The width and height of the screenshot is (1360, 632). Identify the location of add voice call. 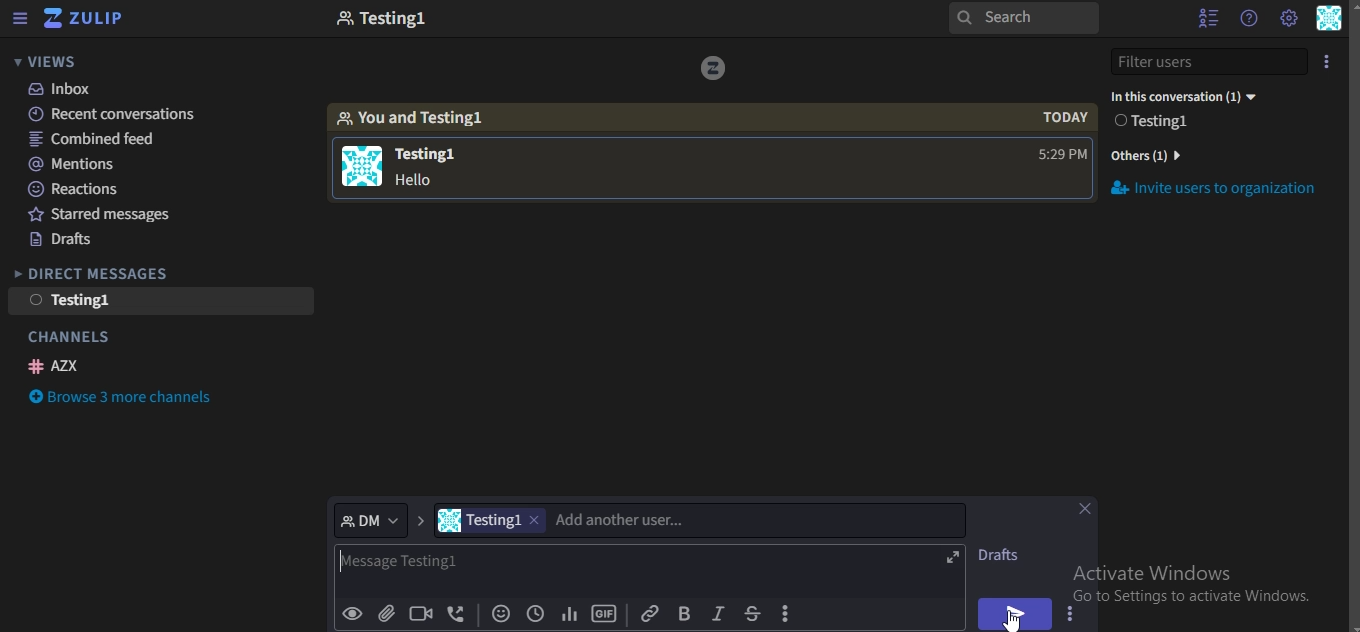
(457, 615).